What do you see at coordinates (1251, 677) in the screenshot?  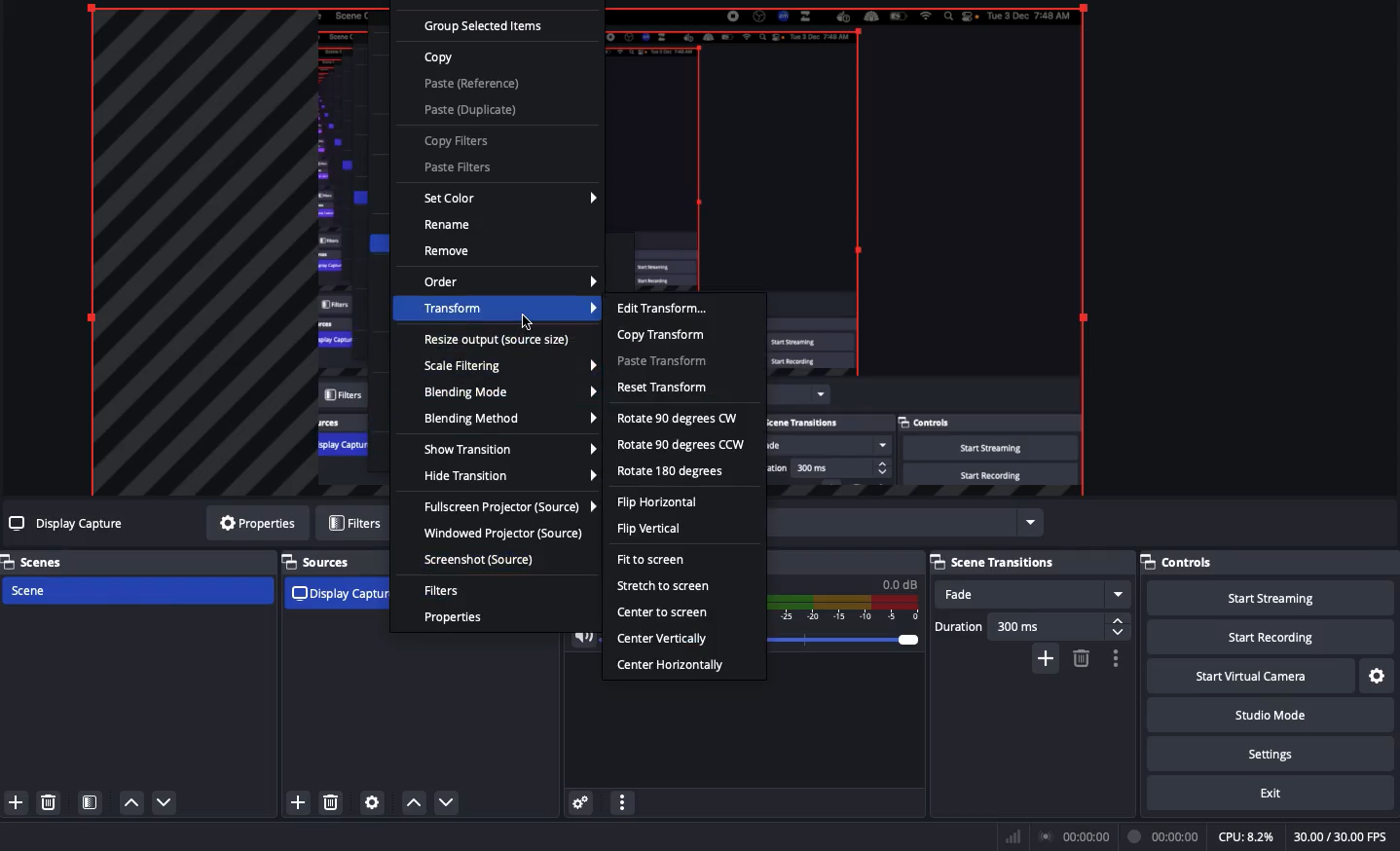 I see `Start virtual camera` at bounding box center [1251, 677].